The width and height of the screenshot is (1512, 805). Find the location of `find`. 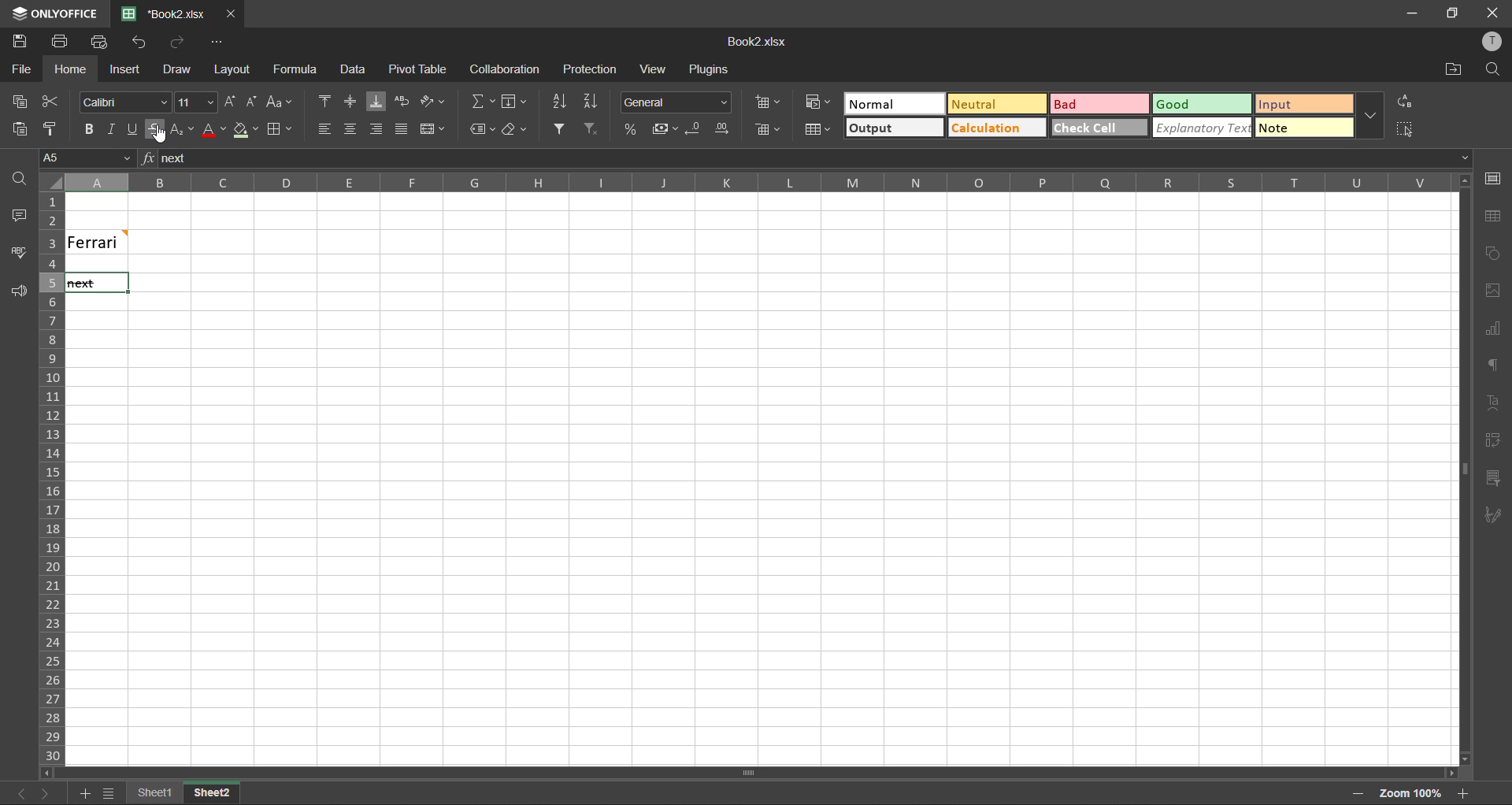

find is located at coordinates (1492, 70).